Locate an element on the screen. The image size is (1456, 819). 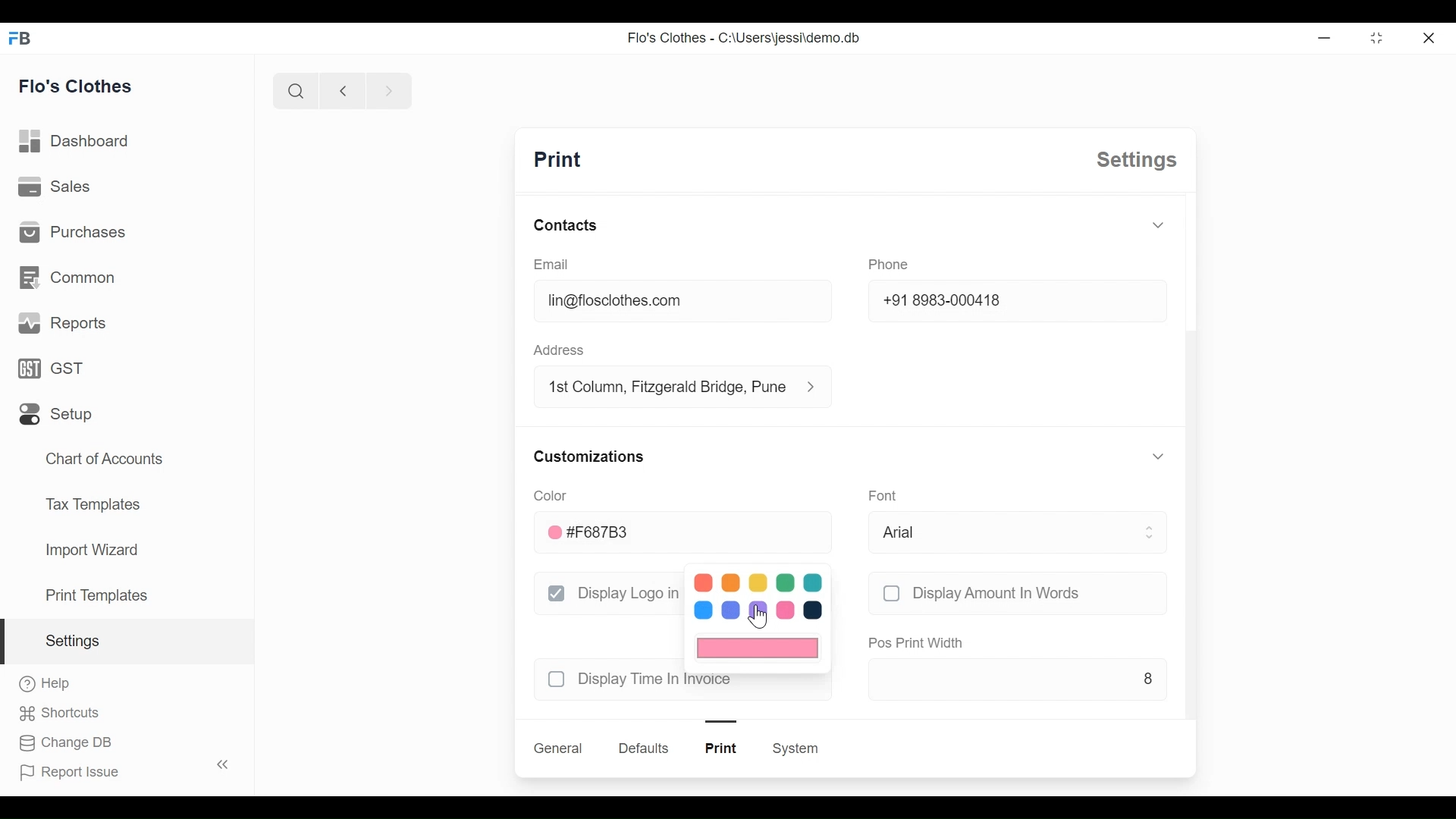
checkbox is located at coordinates (557, 593).